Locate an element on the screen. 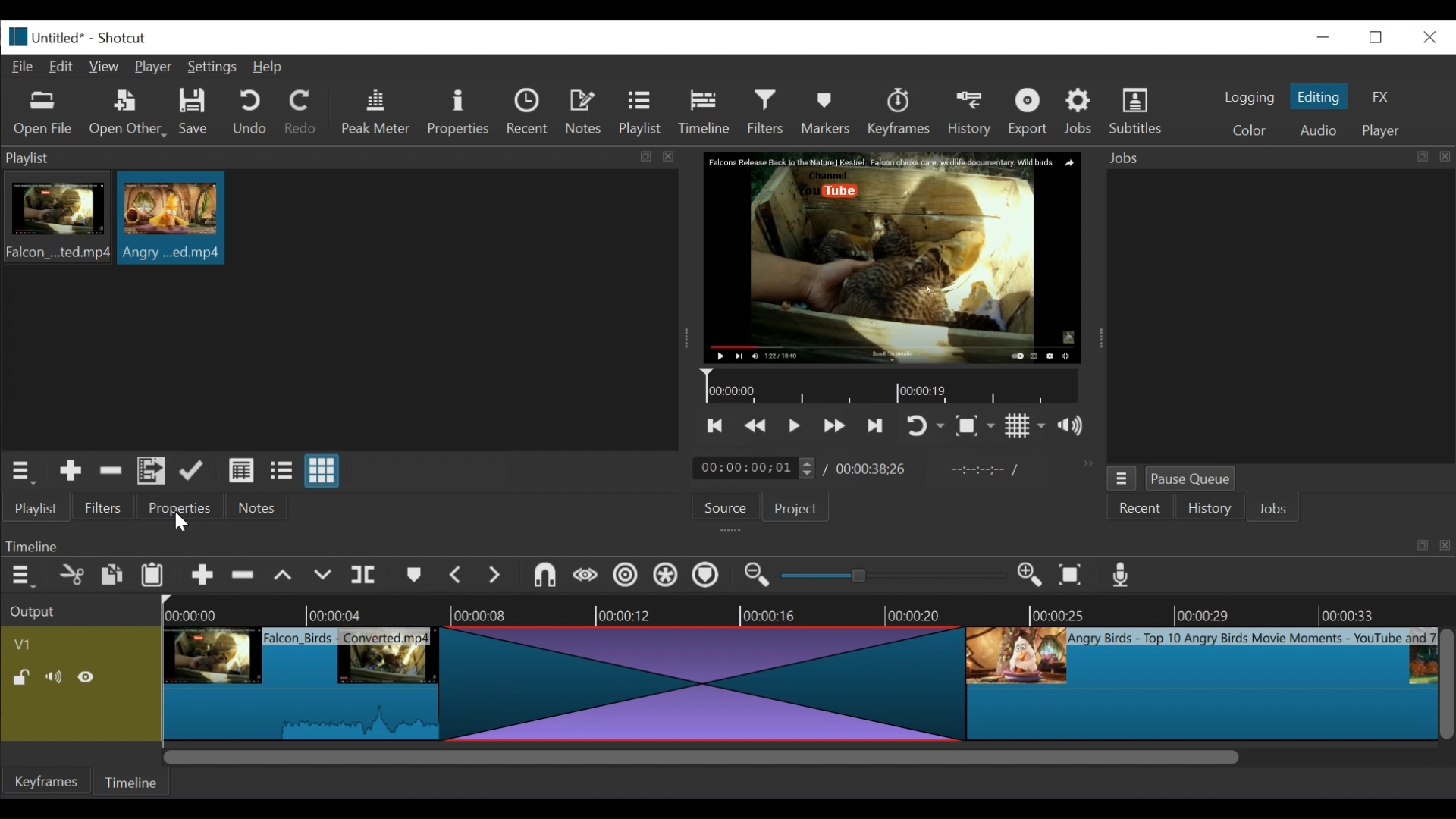 The height and width of the screenshot is (819, 1456). Timeline is located at coordinates (708, 109).